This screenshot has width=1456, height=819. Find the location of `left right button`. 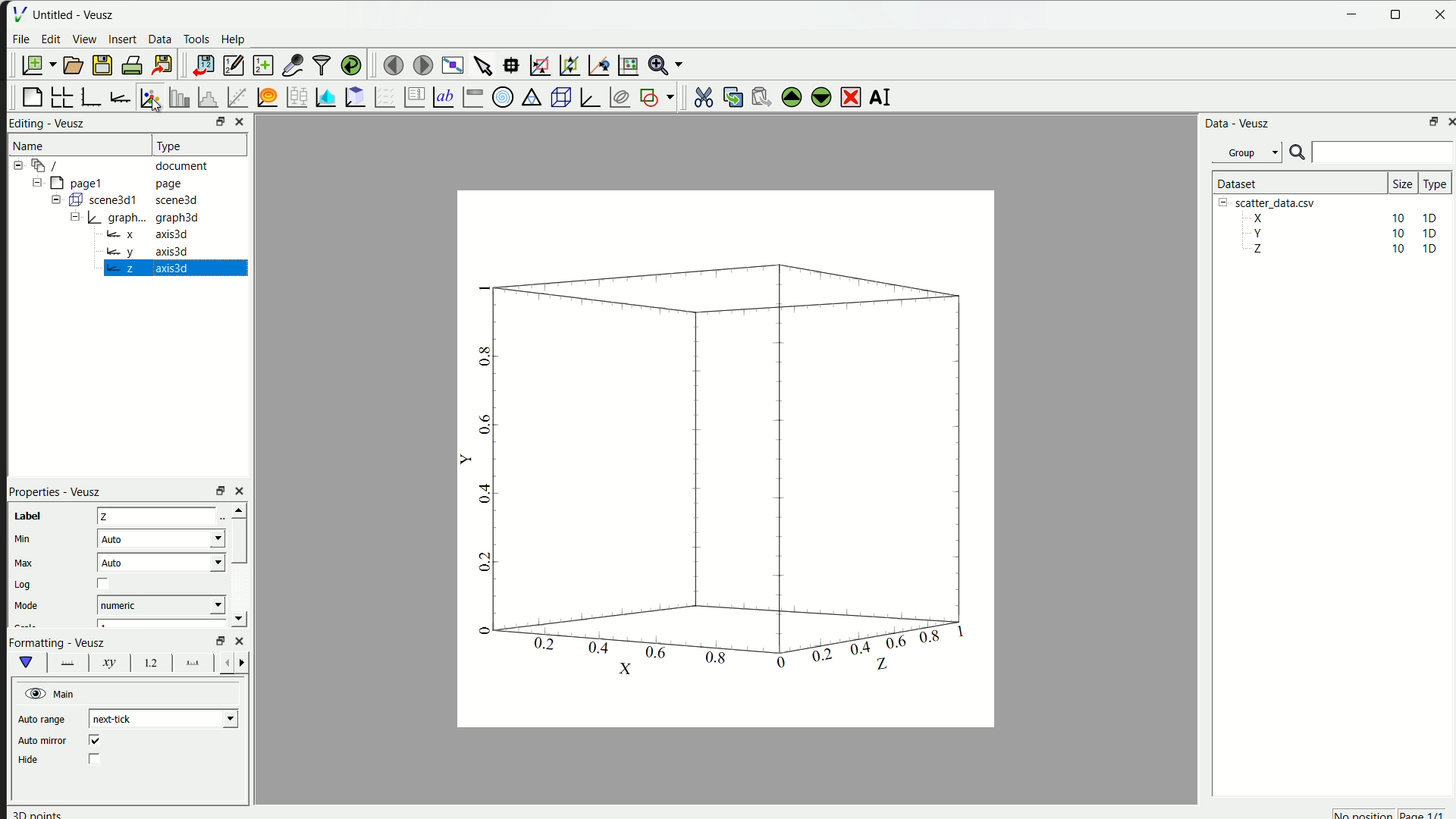

left right button is located at coordinates (234, 663).